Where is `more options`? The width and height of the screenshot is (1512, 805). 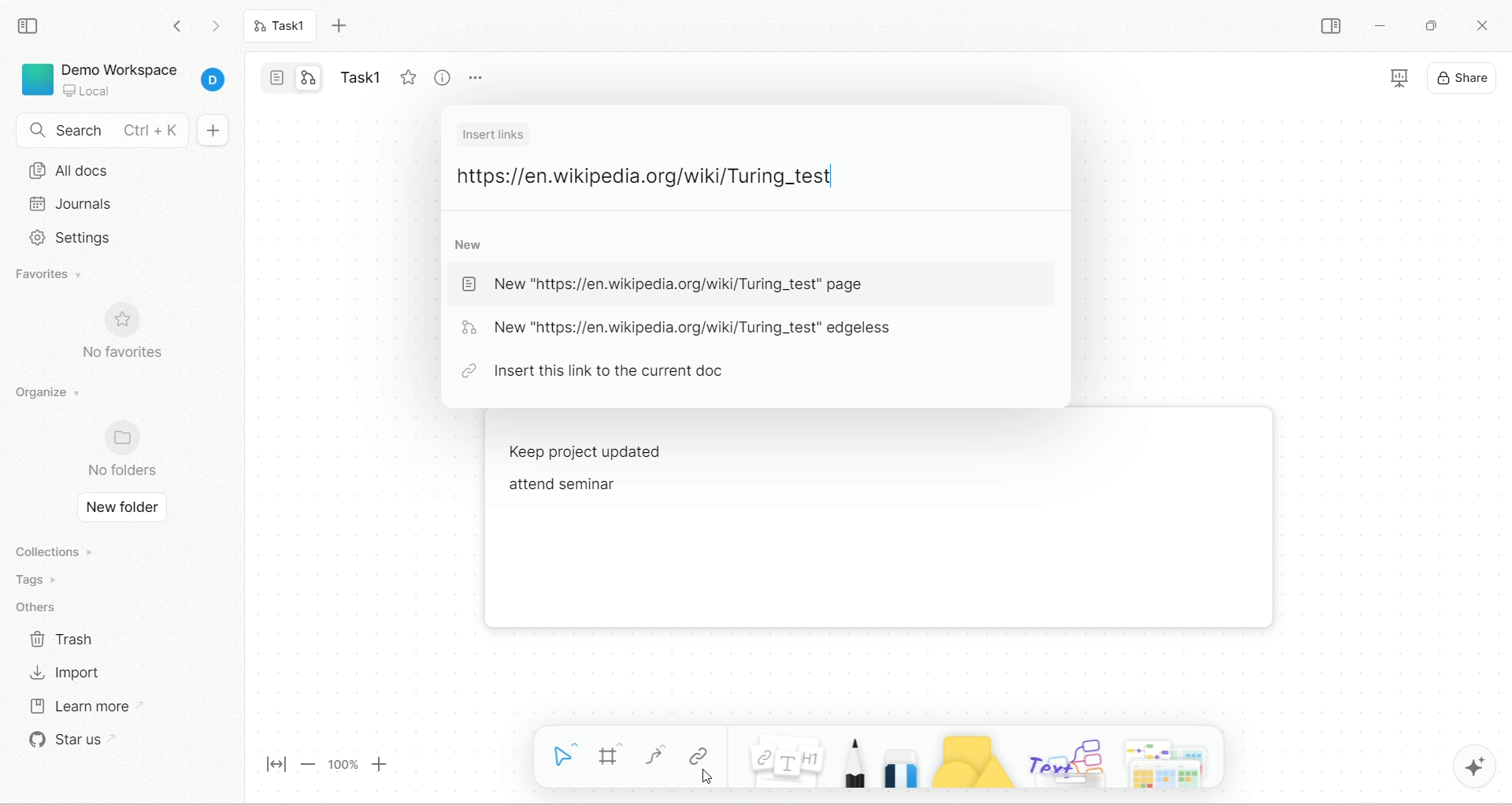
more options is located at coordinates (480, 81).